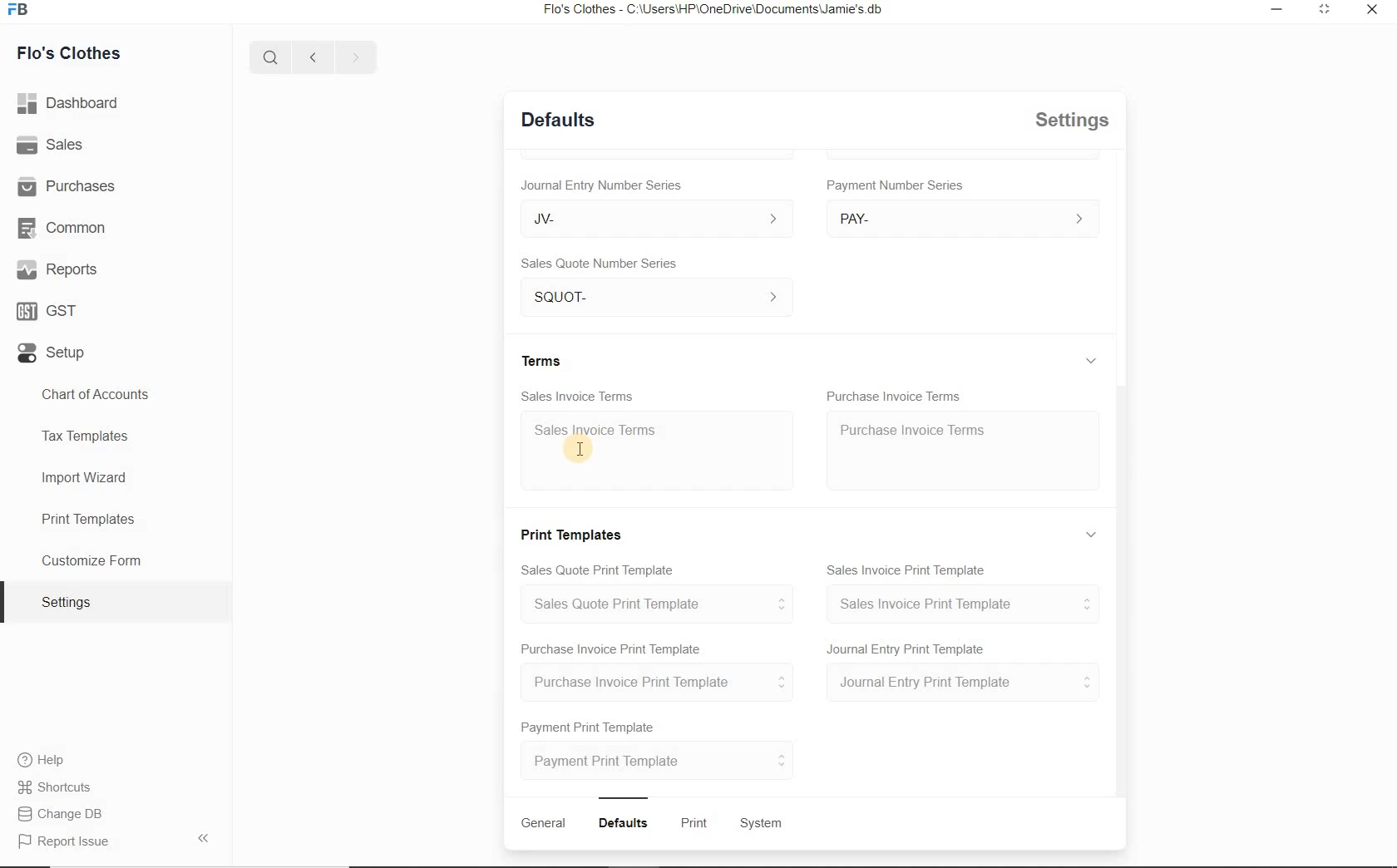 This screenshot has width=1397, height=868. What do you see at coordinates (697, 824) in the screenshot?
I see `Print` at bounding box center [697, 824].